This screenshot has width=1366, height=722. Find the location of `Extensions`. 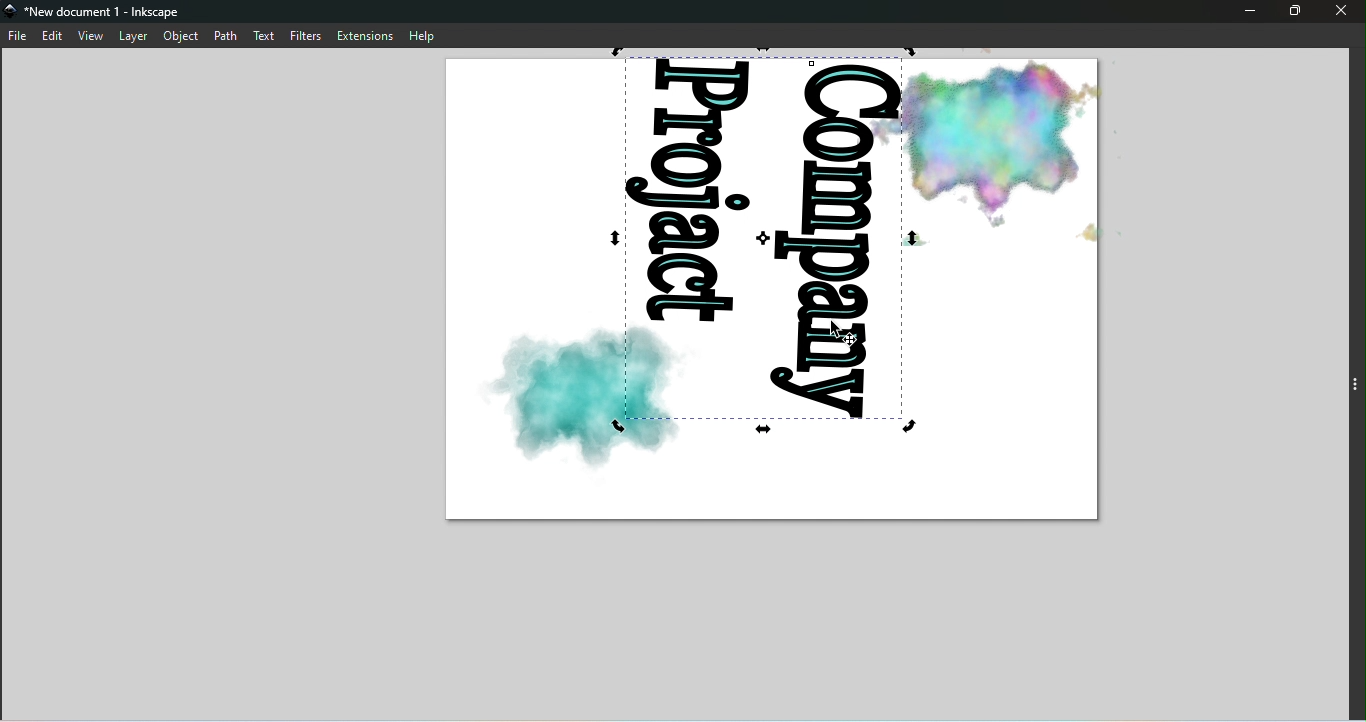

Extensions is located at coordinates (366, 36).